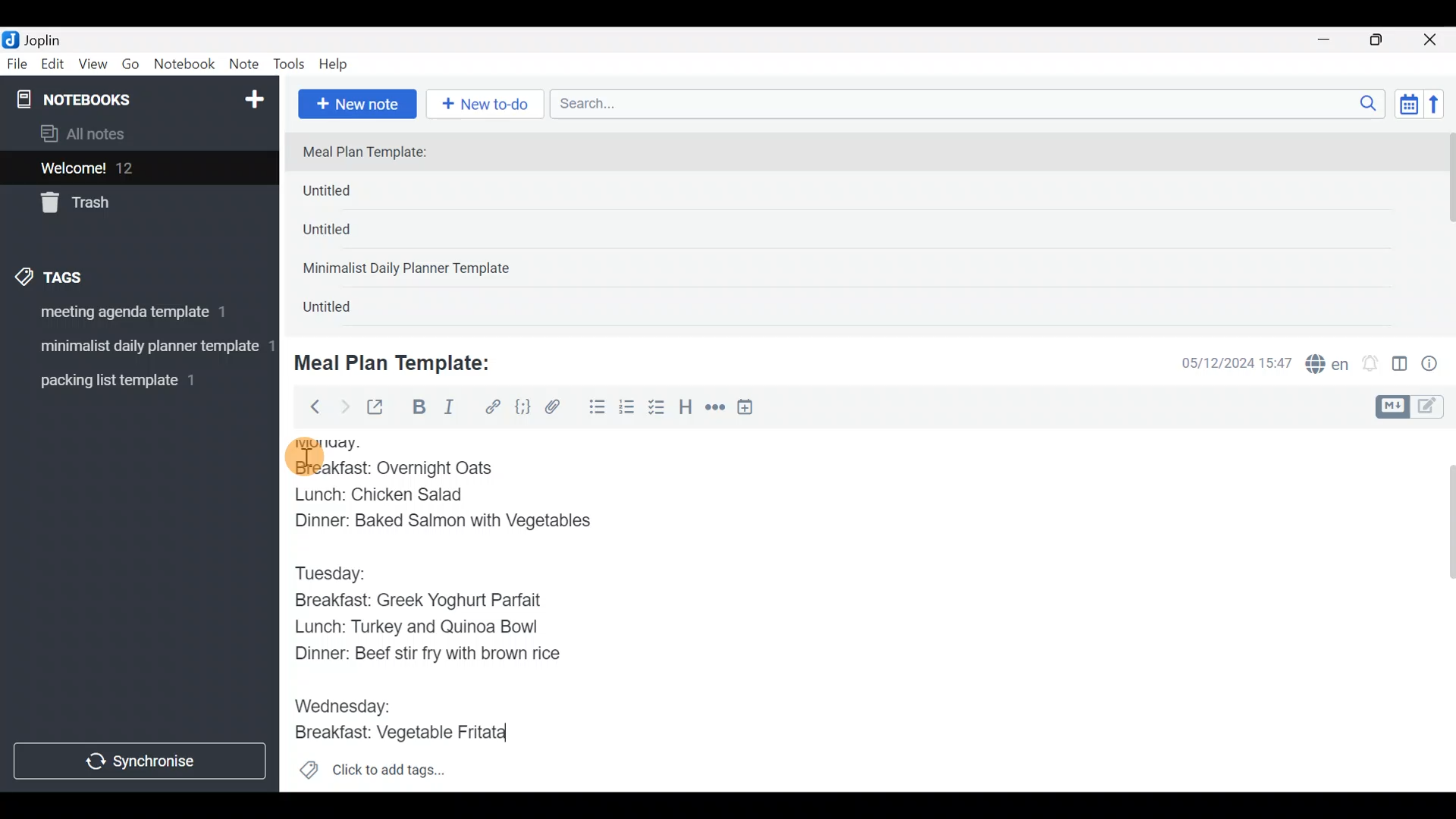 The width and height of the screenshot is (1456, 819). I want to click on Insert time, so click(752, 409).